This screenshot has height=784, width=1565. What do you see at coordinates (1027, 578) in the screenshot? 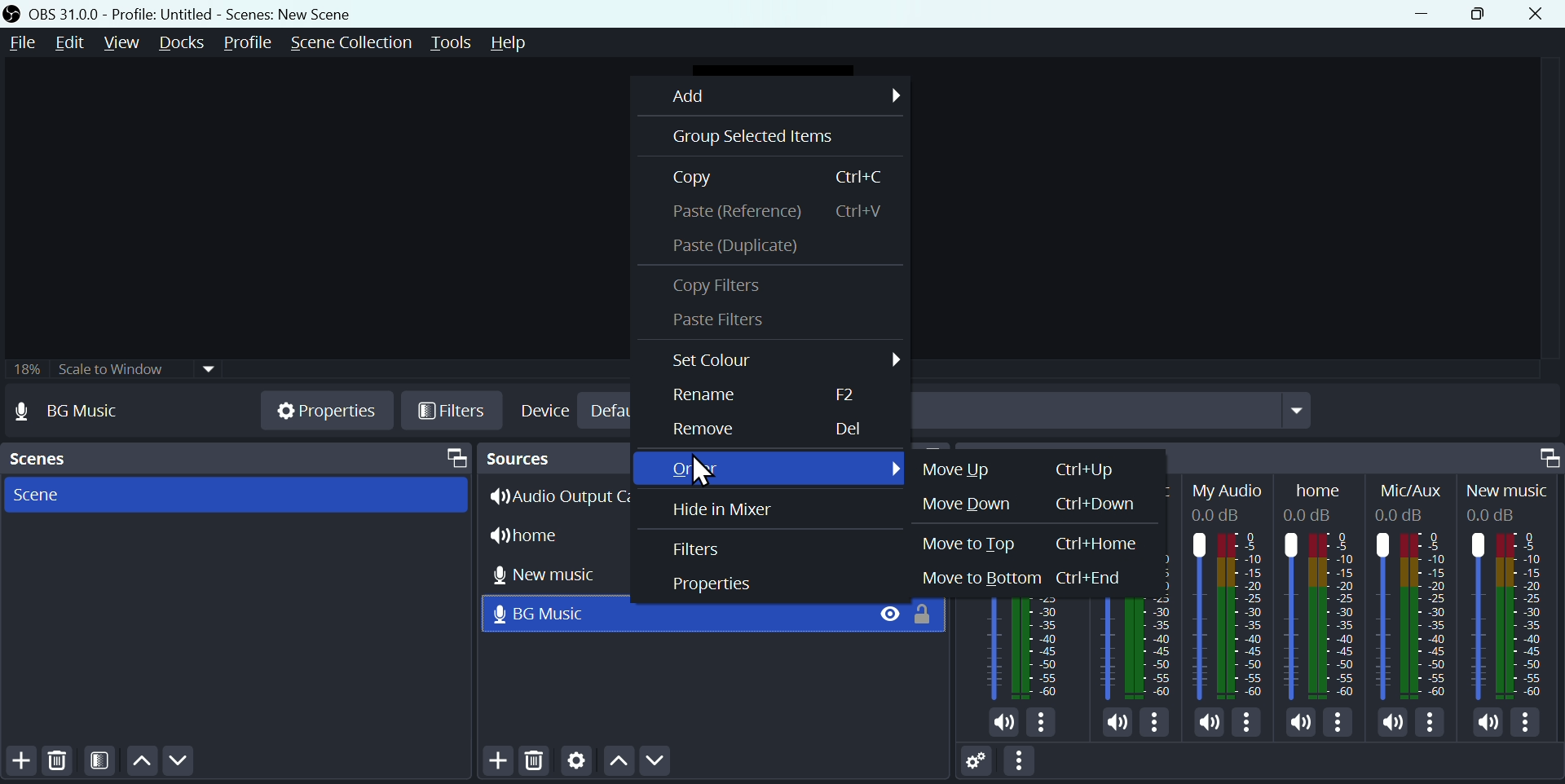
I see `Move to bottom` at bounding box center [1027, 578].